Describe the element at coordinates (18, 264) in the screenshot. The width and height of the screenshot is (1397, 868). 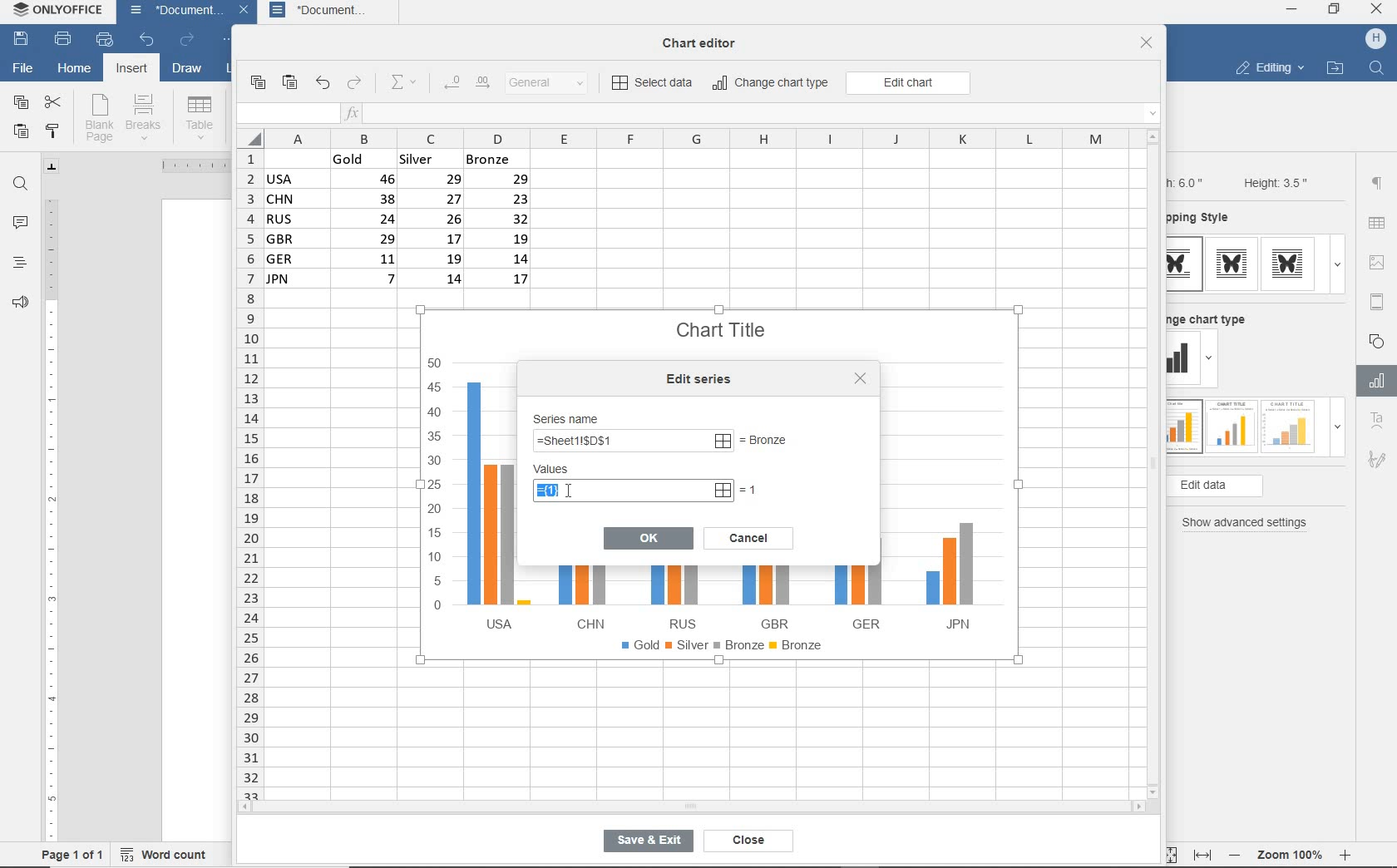
I see `headings` at that location.